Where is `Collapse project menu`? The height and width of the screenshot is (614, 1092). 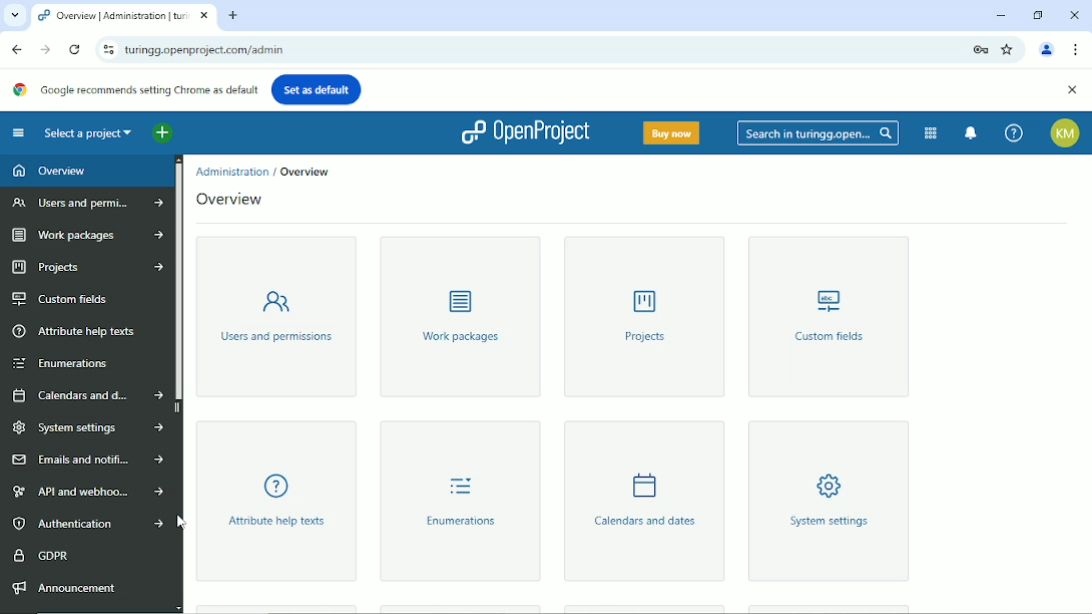
Collapse project menu is located at coordinates (18, 133).